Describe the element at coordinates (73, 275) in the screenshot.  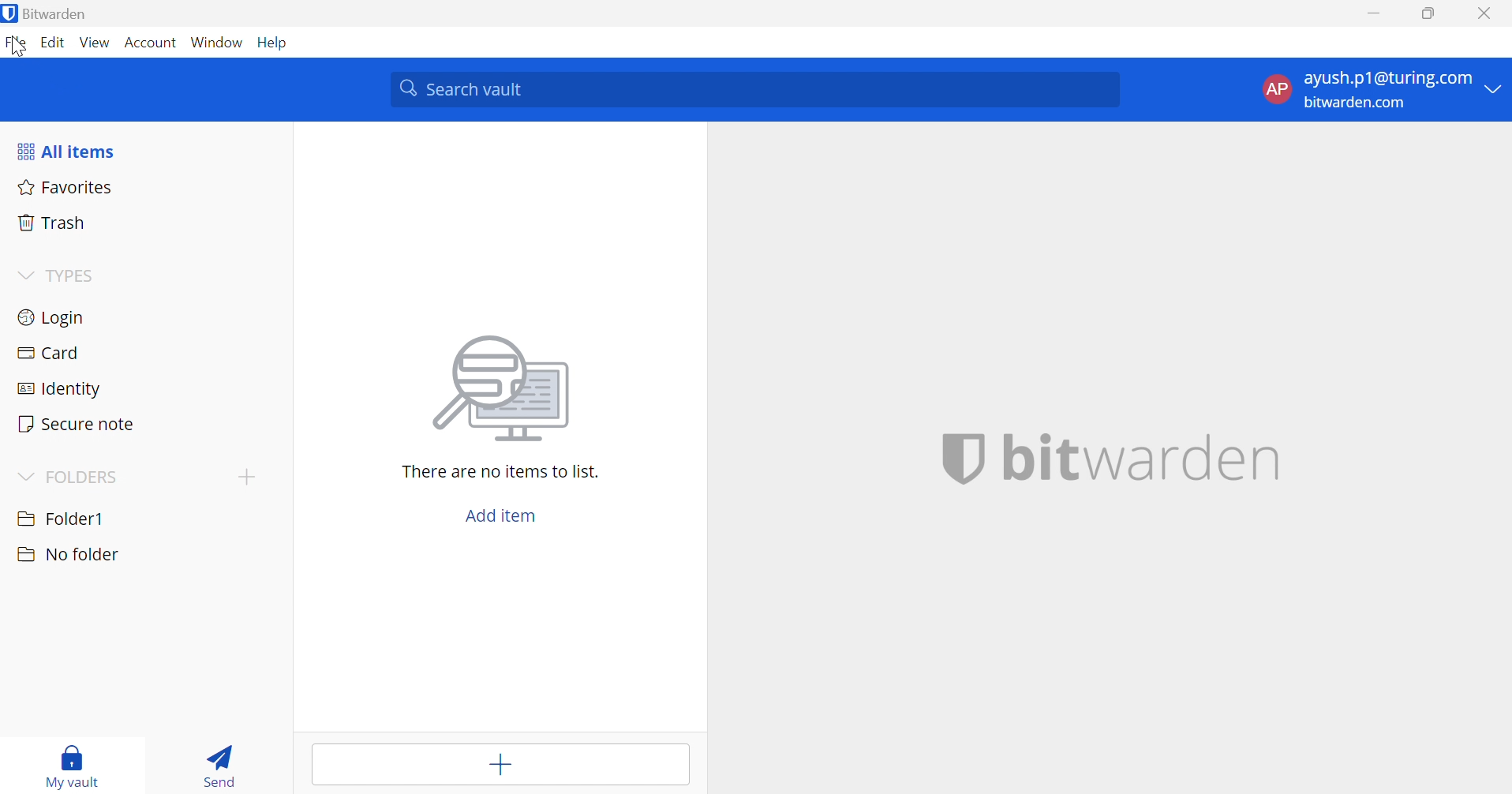
I see `TYPES` at that location.